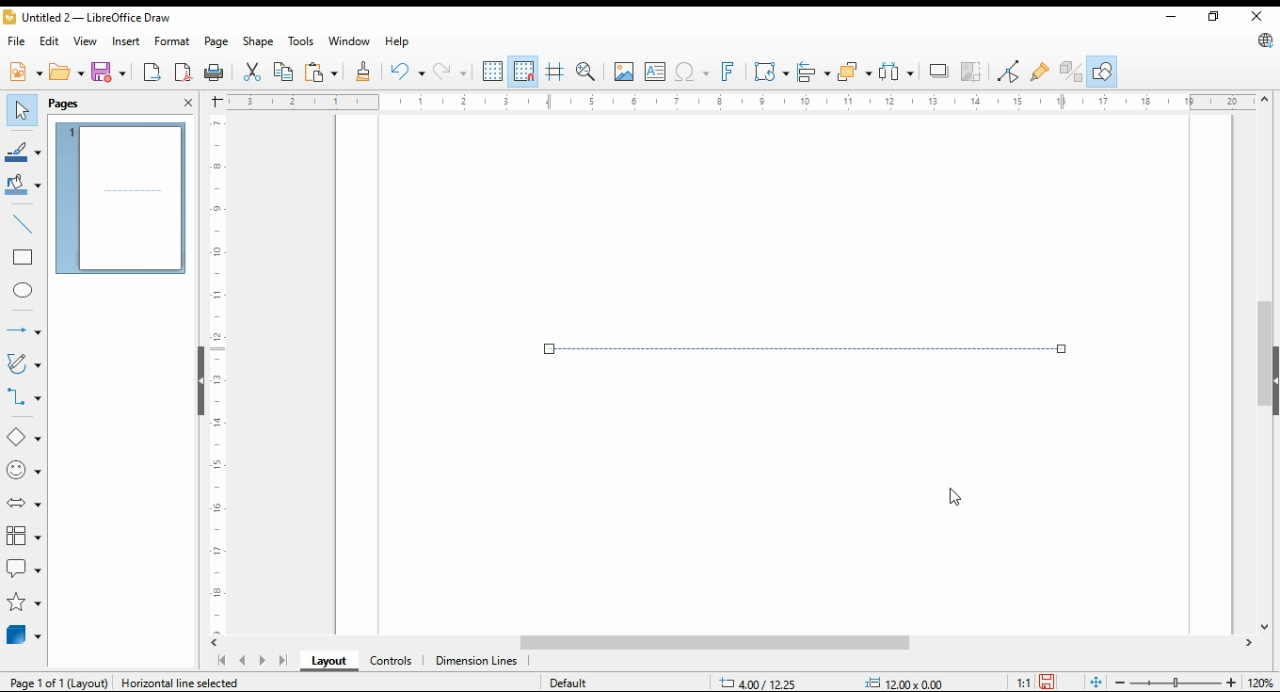 This screenshot has width=1280, height=692. Describe the element at coordinates (23, 331) in the screenshot. I see `lines and arrows` at that location.